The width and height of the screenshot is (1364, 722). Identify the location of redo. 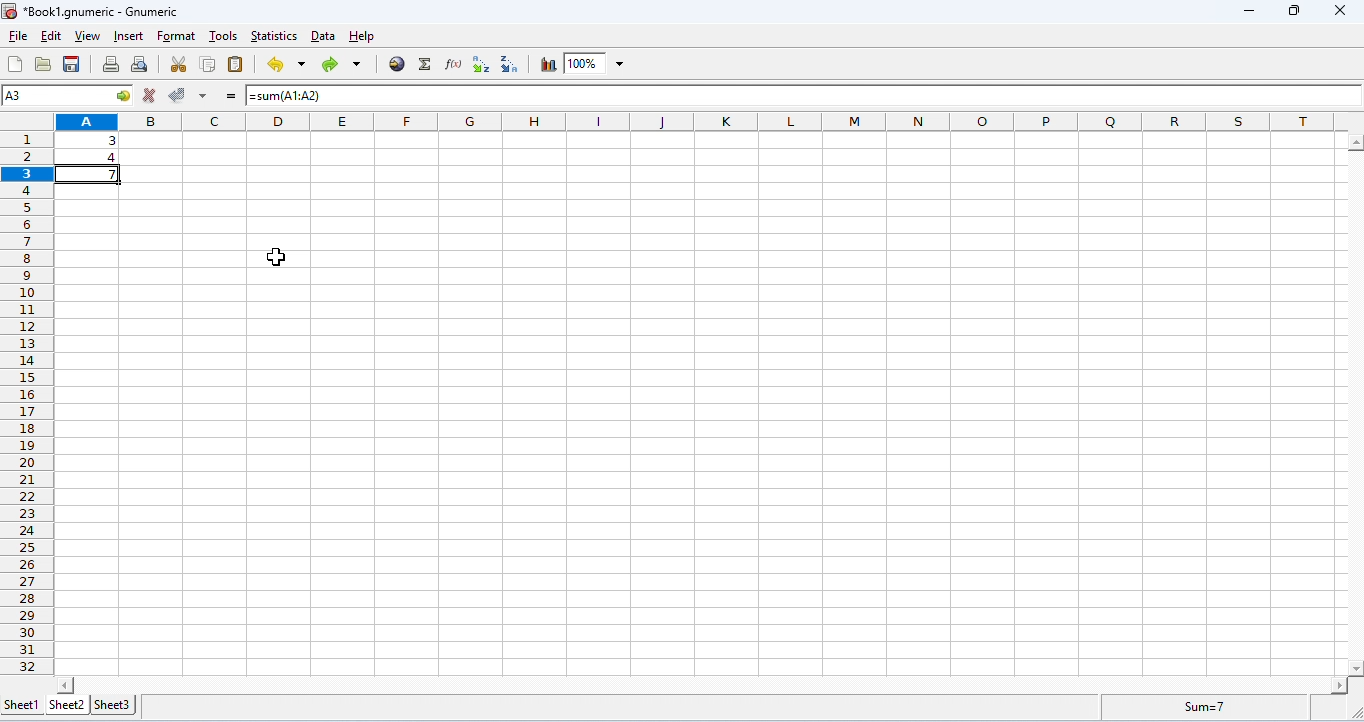
(338, 65).